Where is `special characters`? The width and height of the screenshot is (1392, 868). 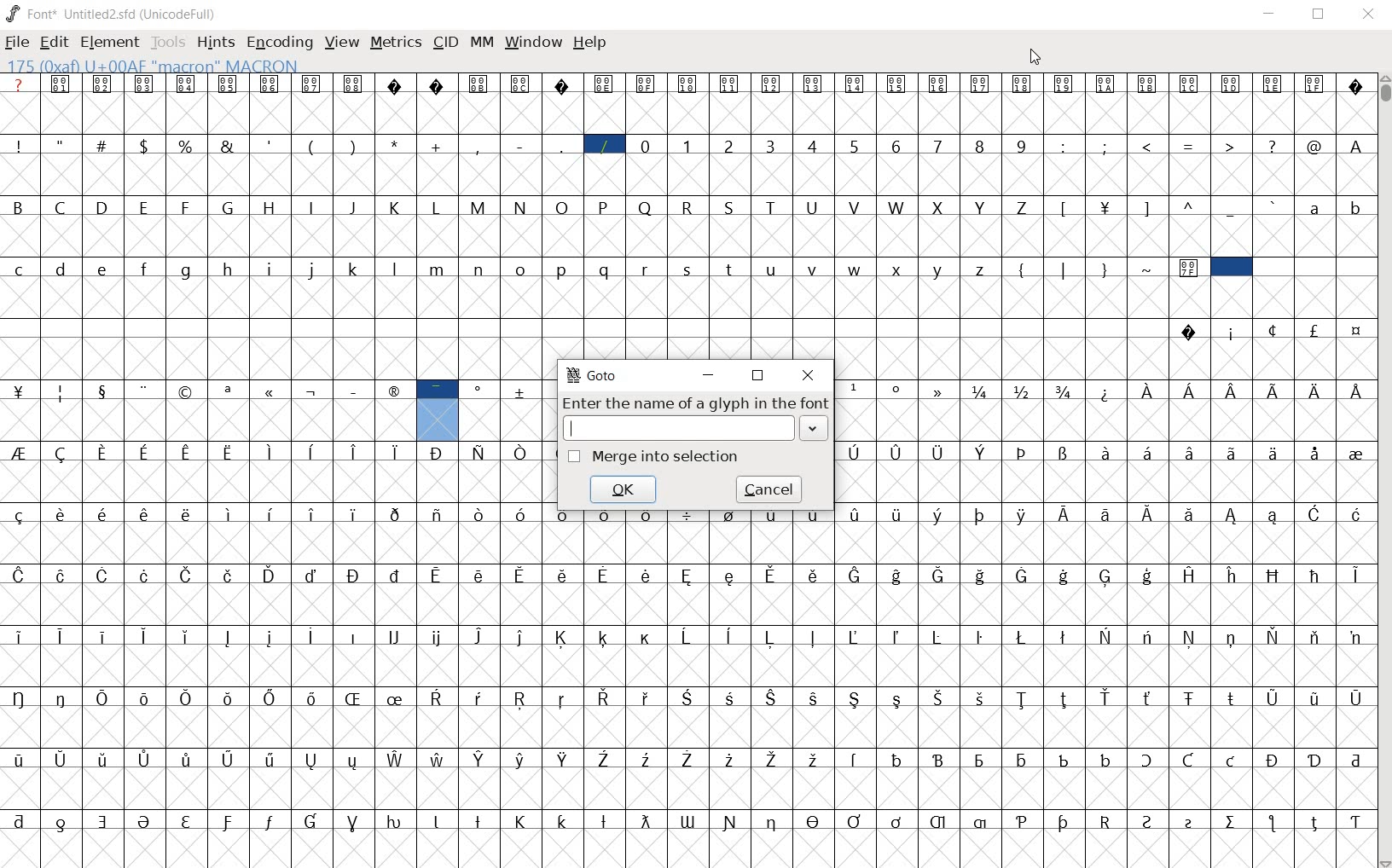 special characters is located at coordinates (1207, 223).